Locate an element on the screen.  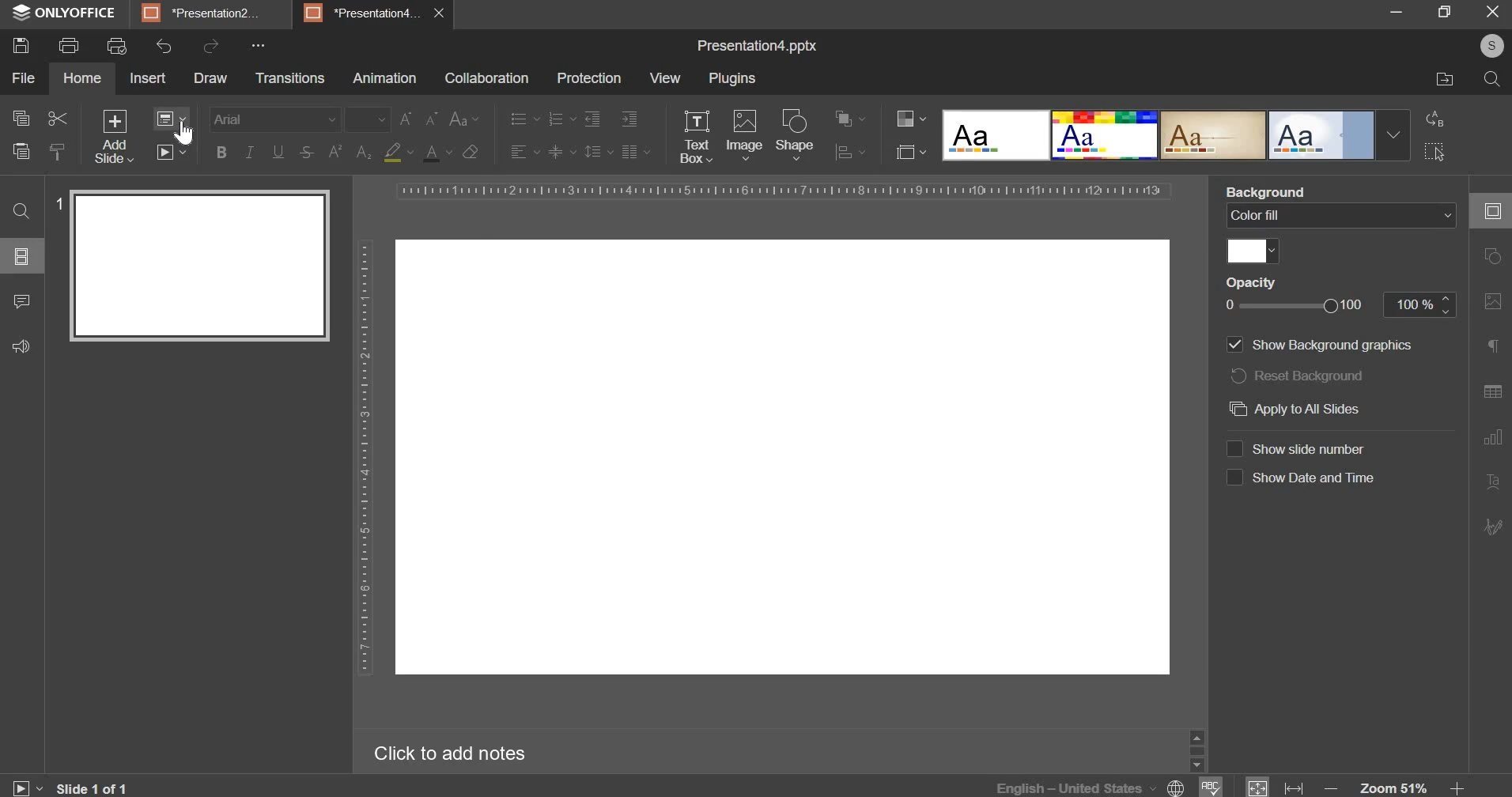
click to add notes is located at coordinates (443, 754).